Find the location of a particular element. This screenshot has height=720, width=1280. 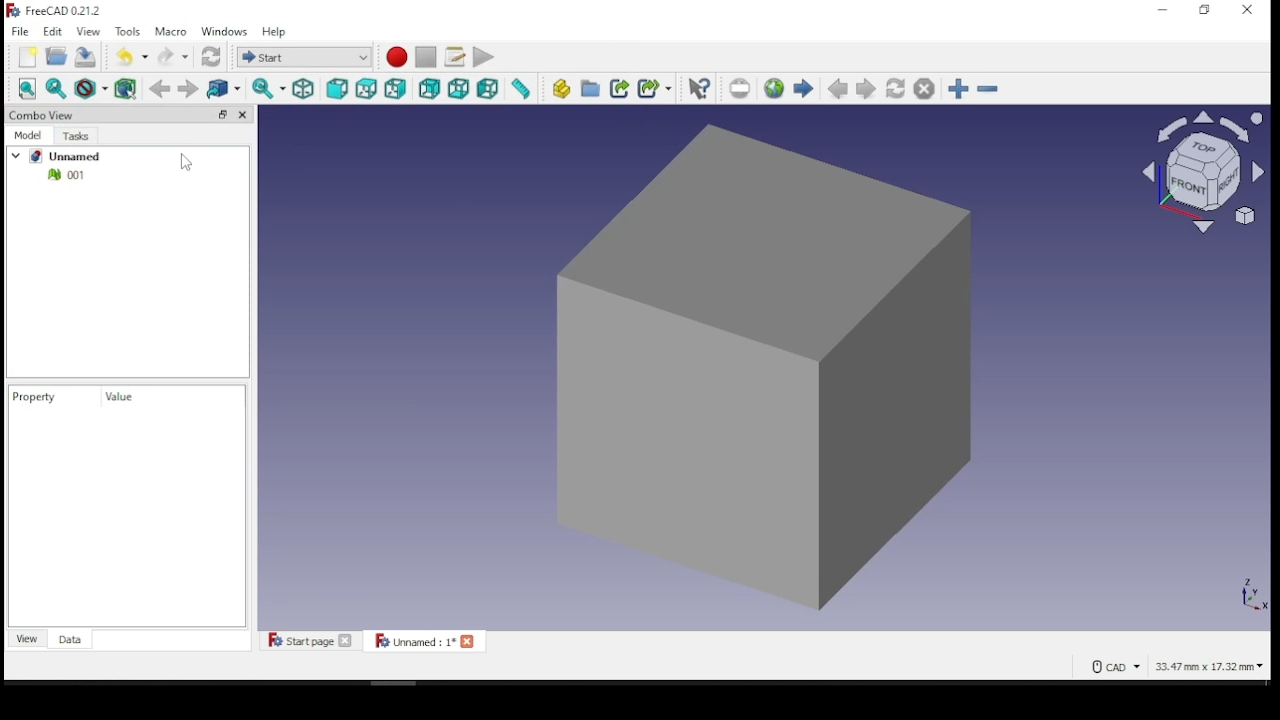

top is located at coordinates (366, 87).